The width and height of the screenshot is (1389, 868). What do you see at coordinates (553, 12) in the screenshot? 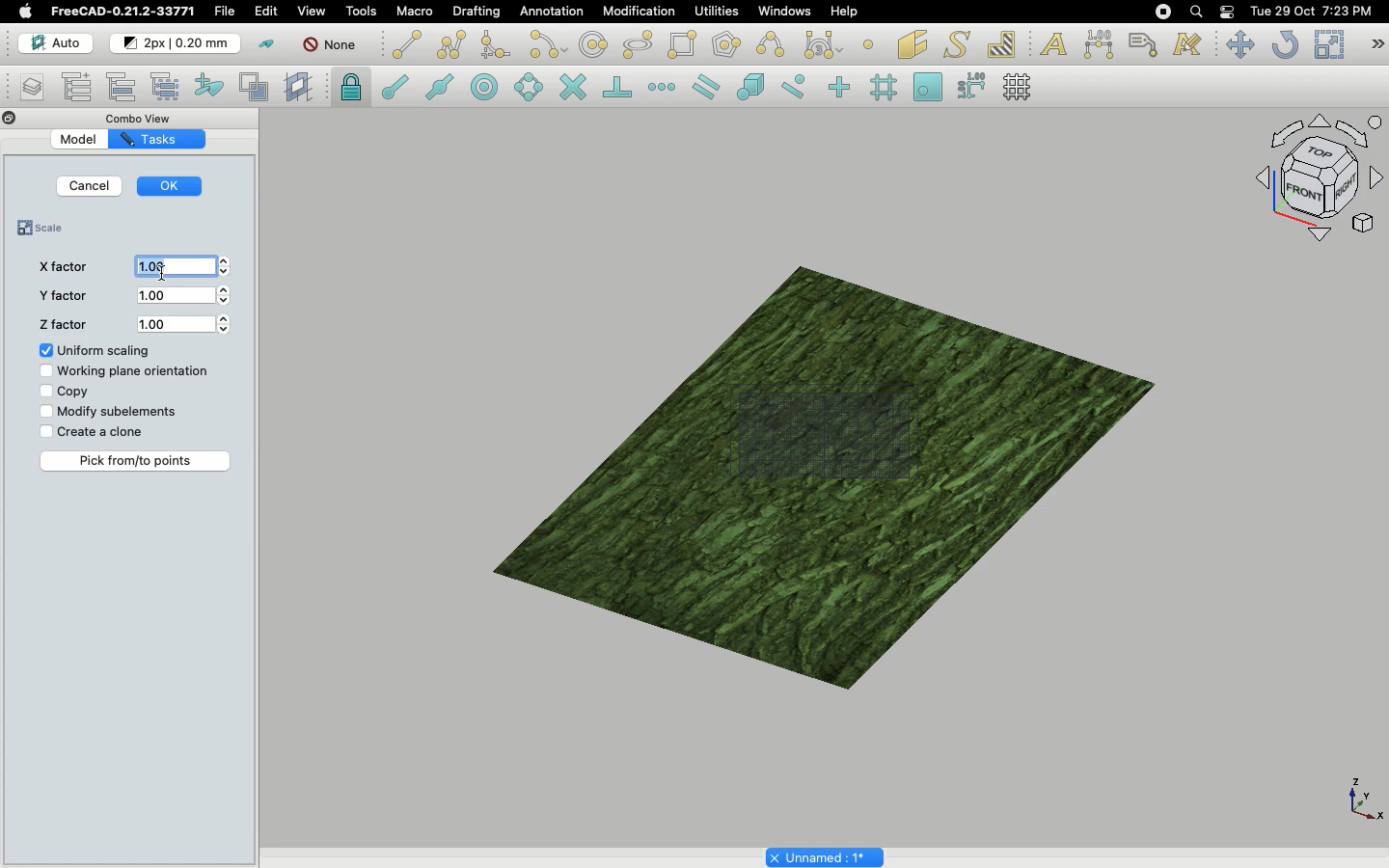
I see `Annotation` at bounding box center [553, 12].